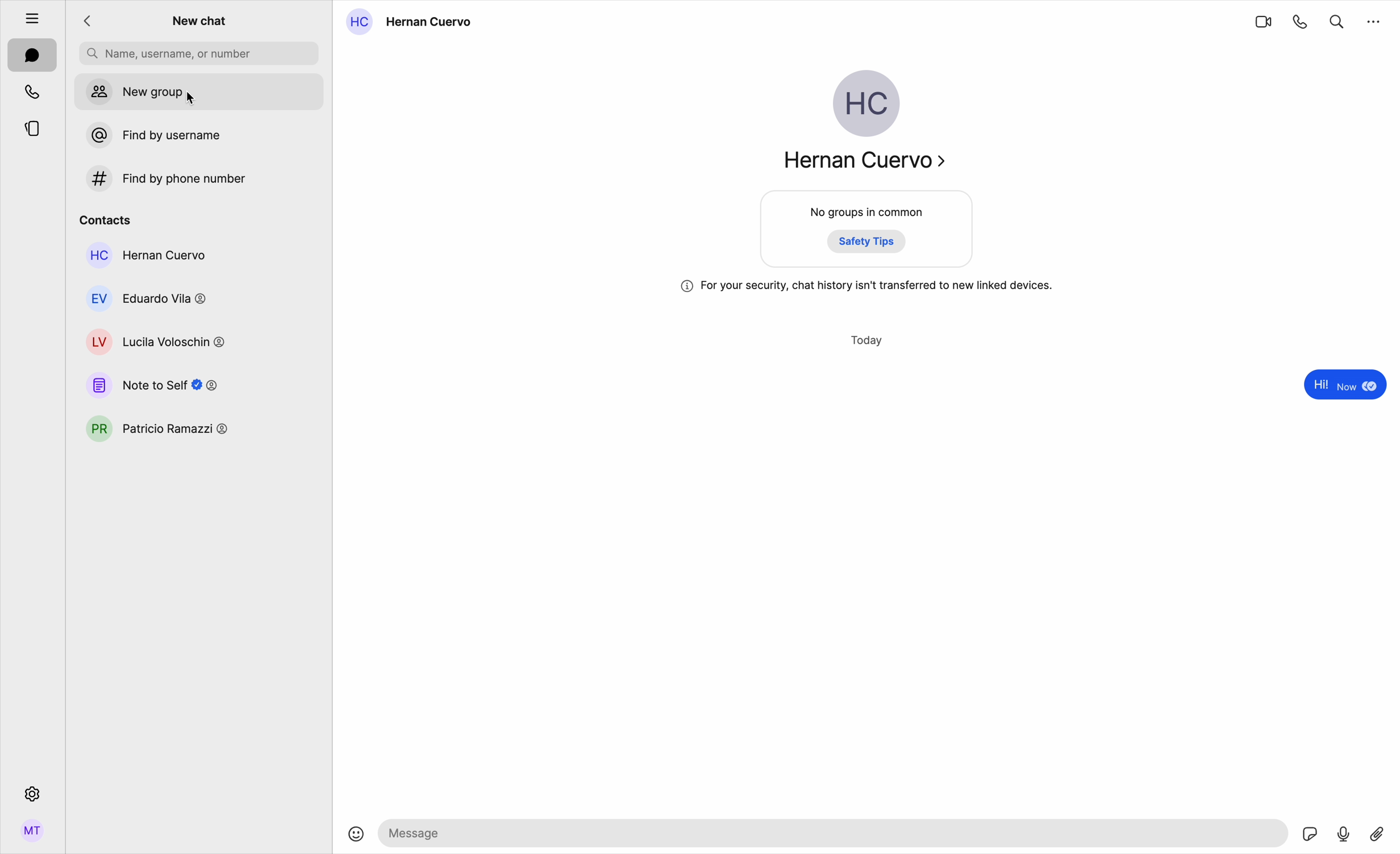 Image resolution: width=1400 pixels, height=854 pixels. I want to click on more options, so click(1374, 20).